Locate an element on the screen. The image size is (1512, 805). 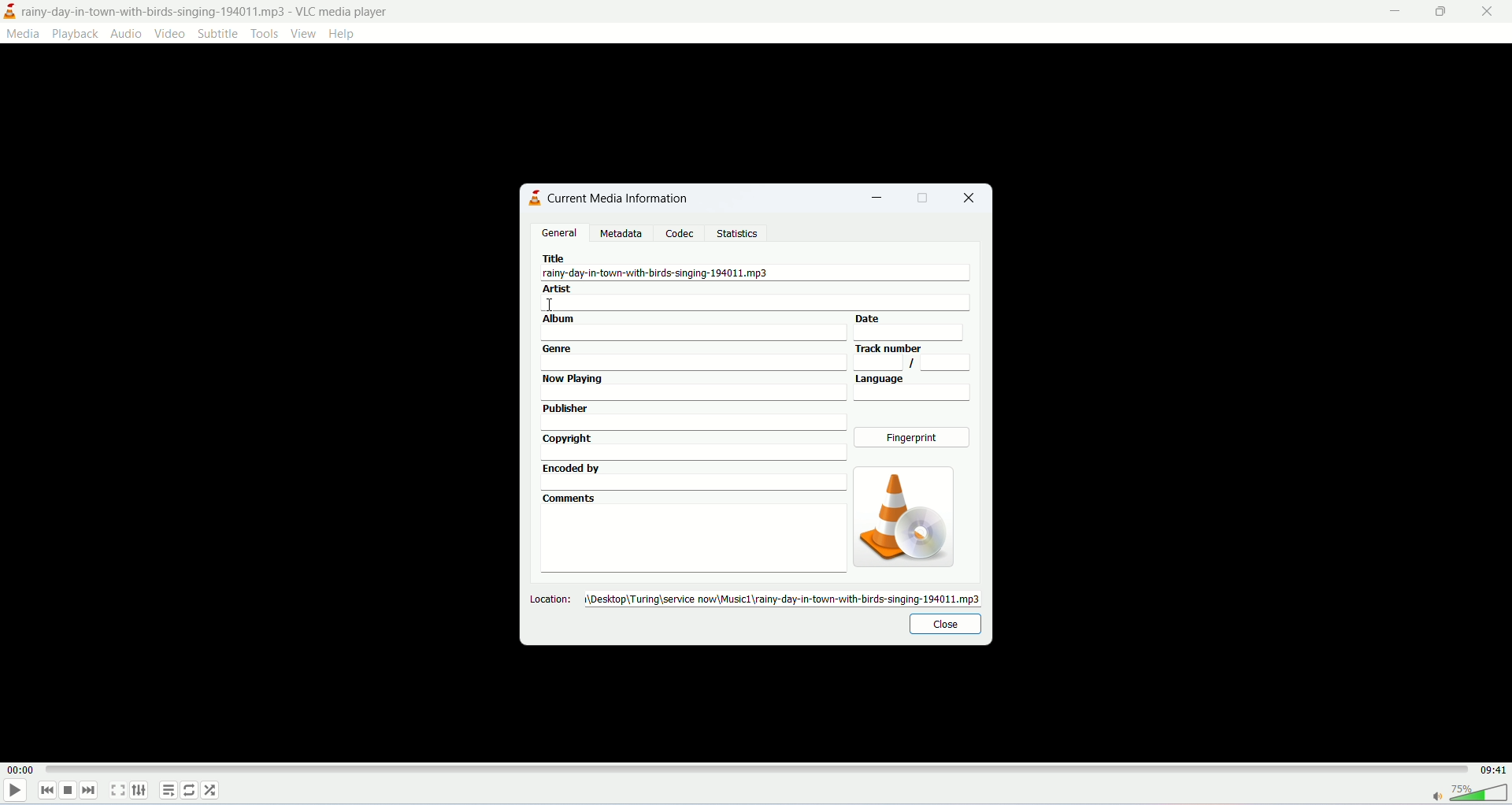
statistics is located at coordinates (738, 232).